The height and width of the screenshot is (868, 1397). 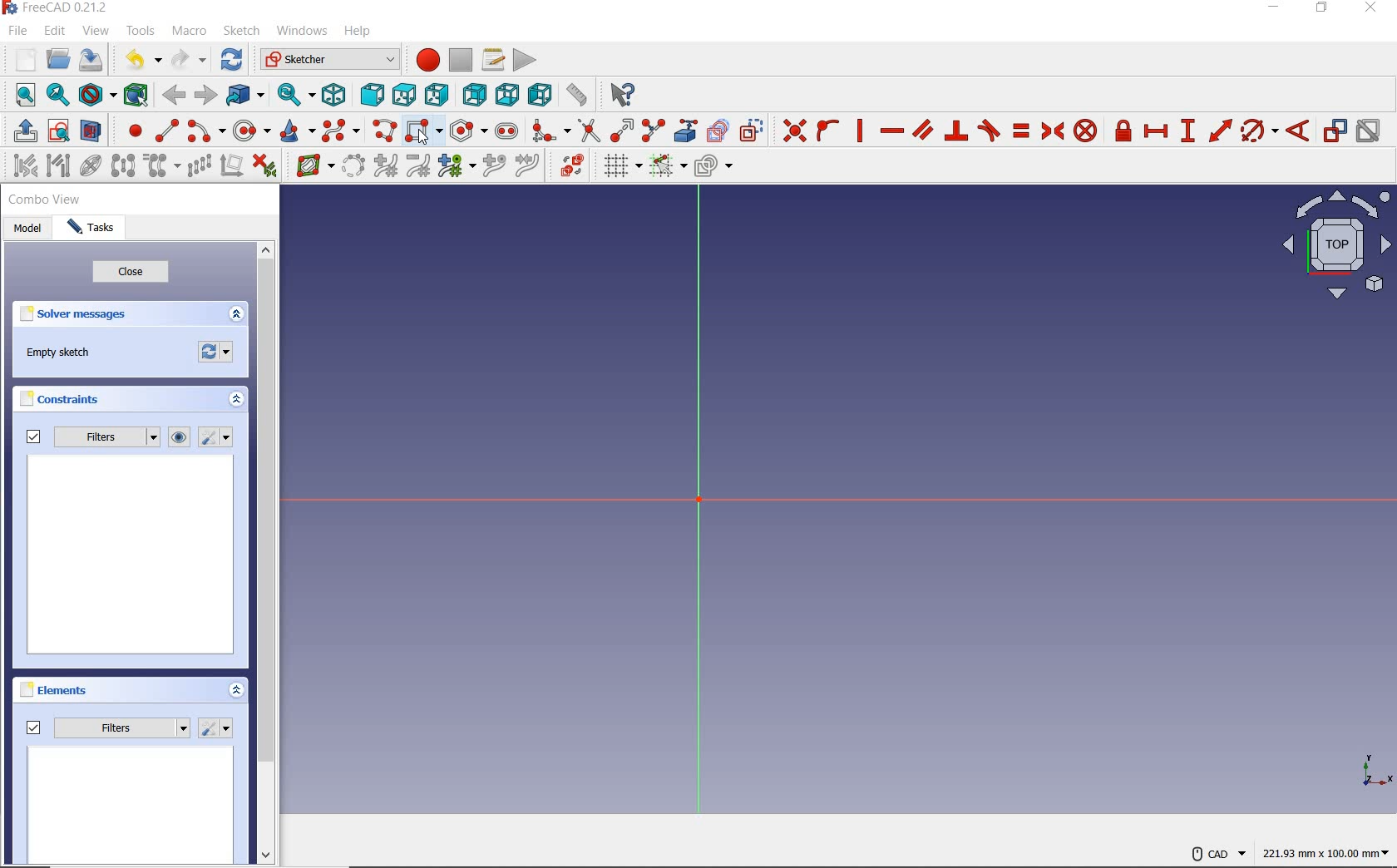 What do you see at coordinates (101, 315) in the screenshot?
I see `solver messages` at bounding box center [101, 315].